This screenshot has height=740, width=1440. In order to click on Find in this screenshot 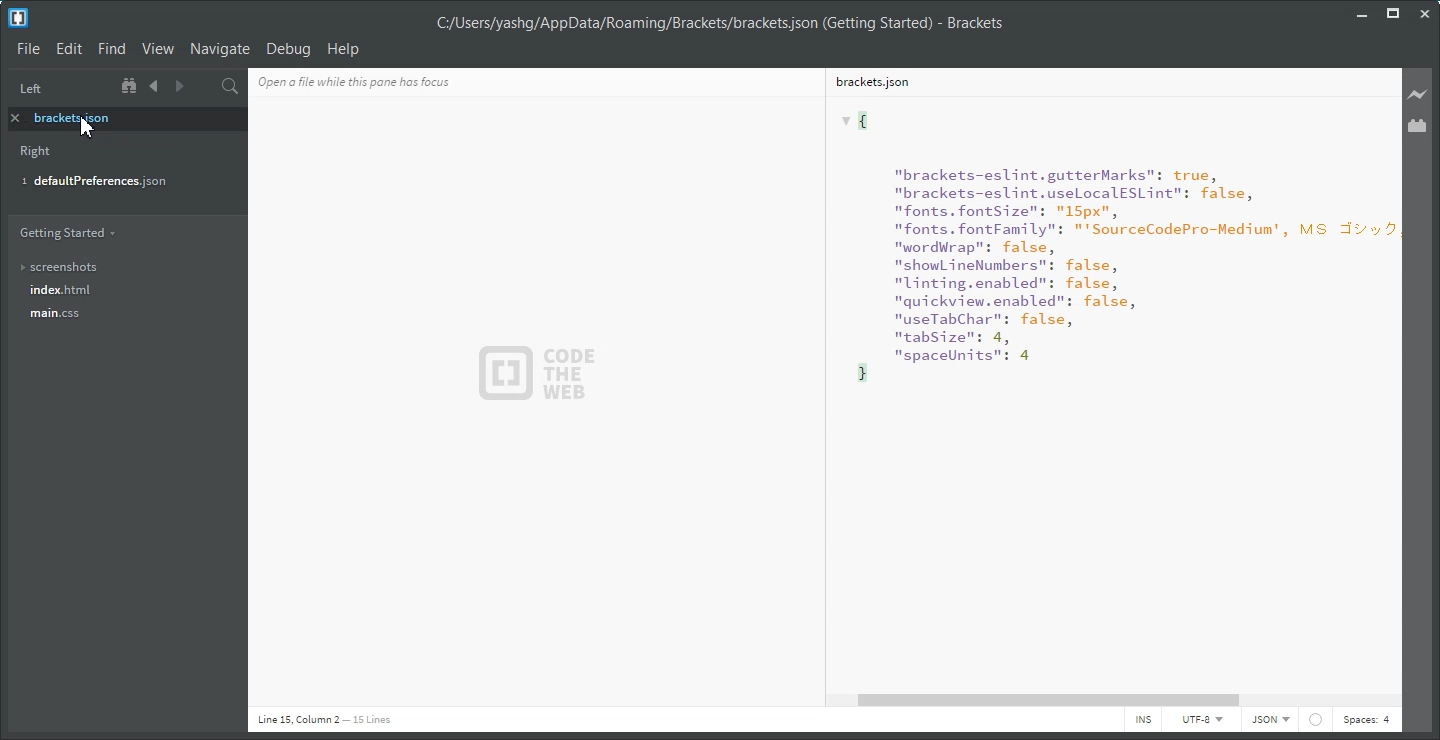, I will do `click(111, 49)`.